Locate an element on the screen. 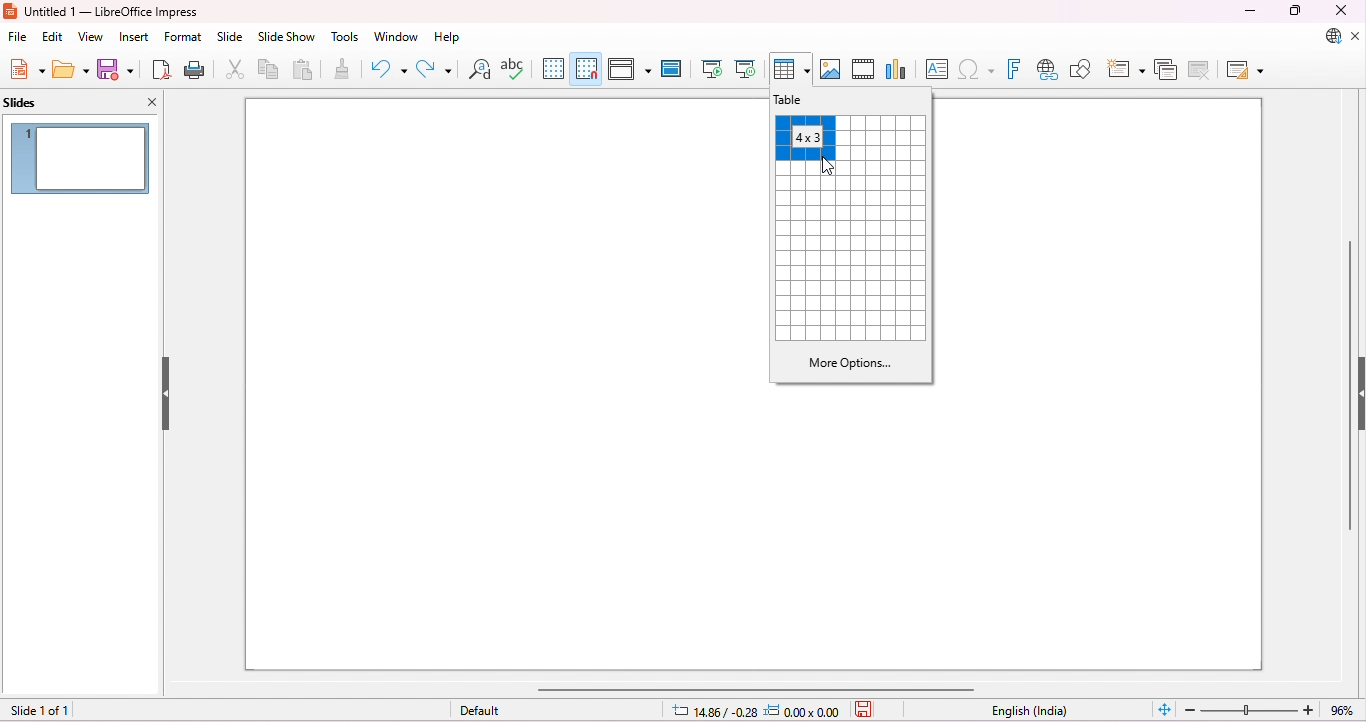 This screenshot has width=1366, height=722. cut is located at coordinates (237, 71).